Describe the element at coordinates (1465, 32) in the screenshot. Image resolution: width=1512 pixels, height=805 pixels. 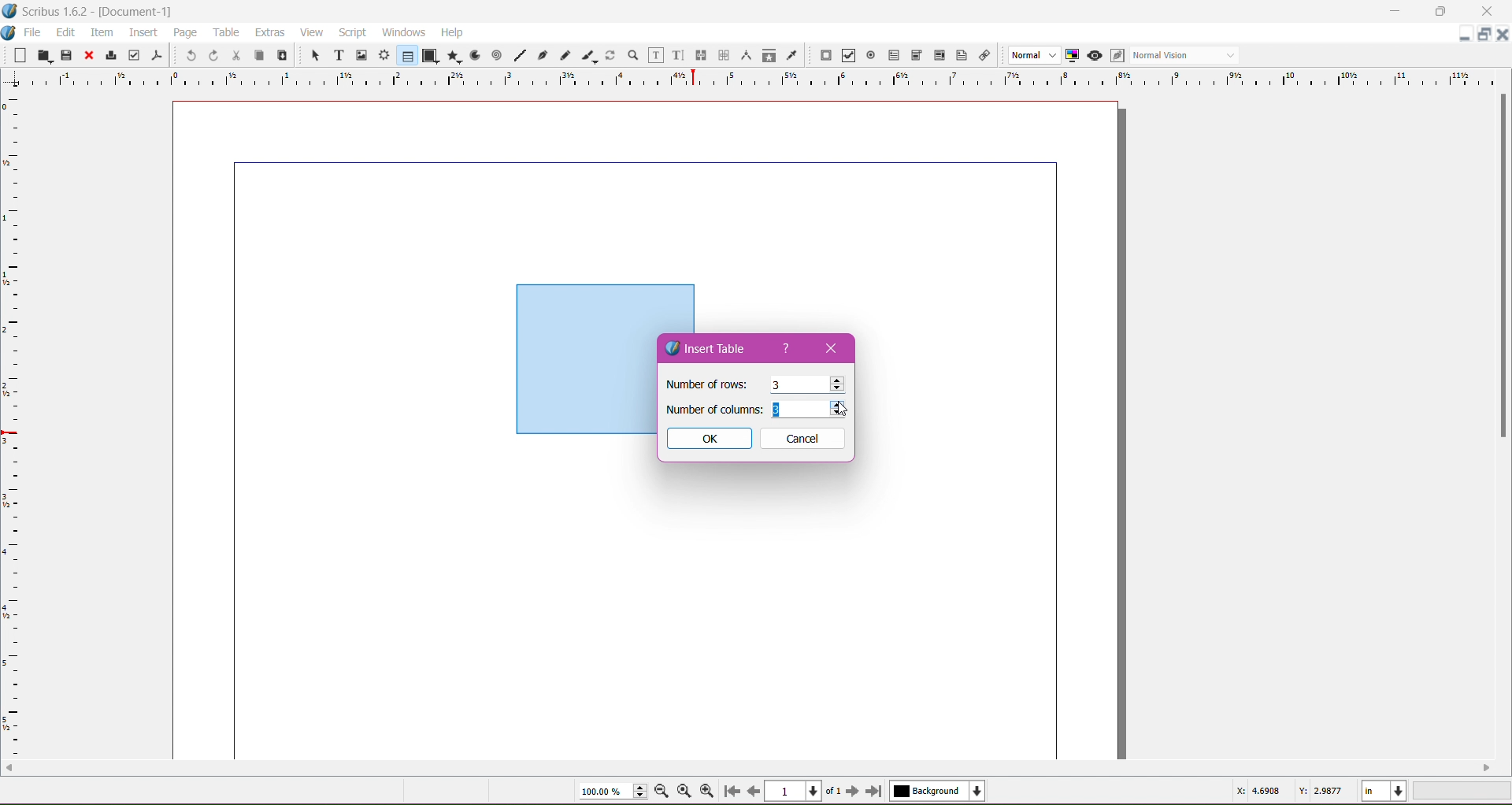
I see `Minimize` at that location.